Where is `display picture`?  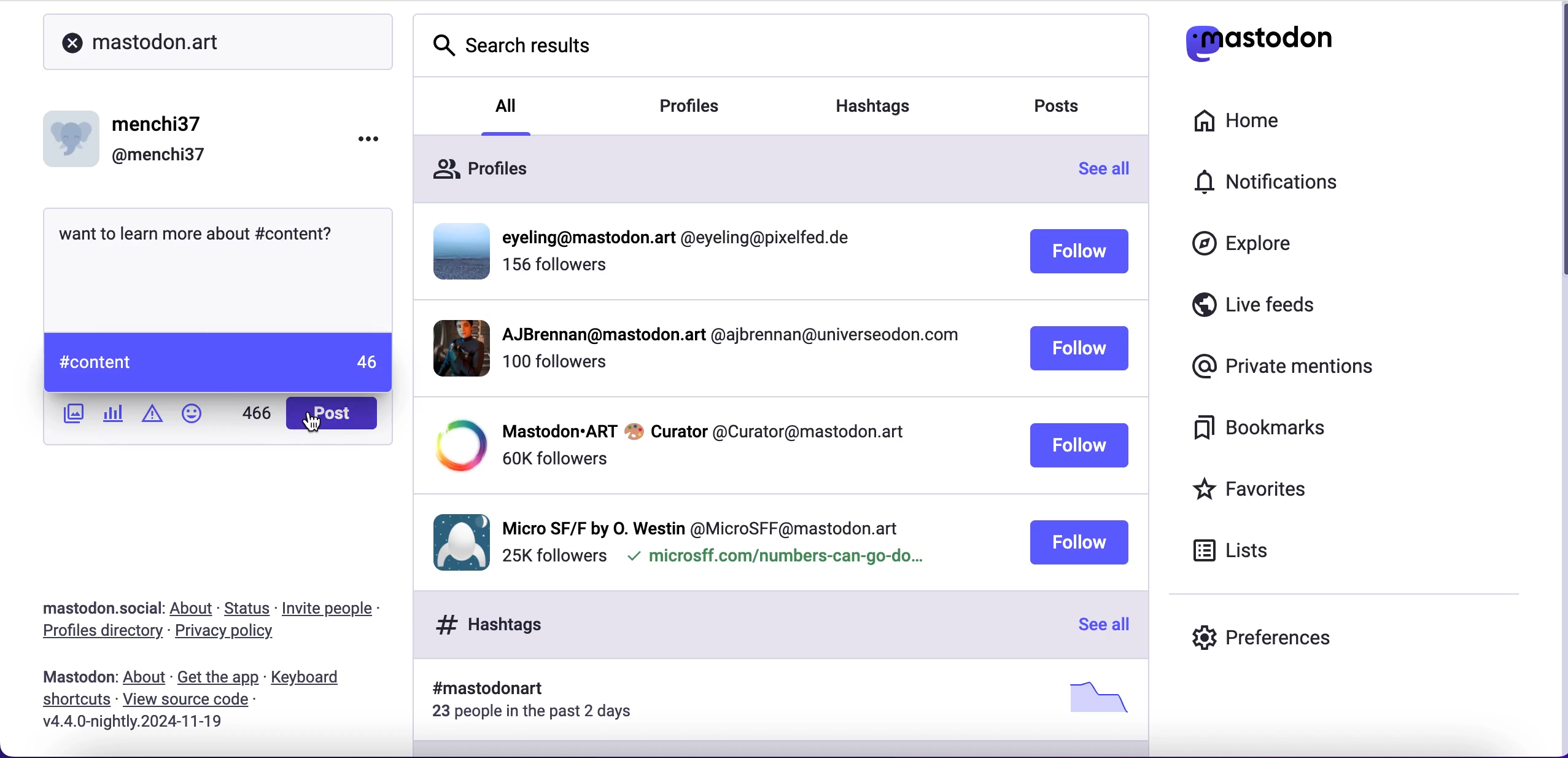 display picture is located at coordinates (456, 446).